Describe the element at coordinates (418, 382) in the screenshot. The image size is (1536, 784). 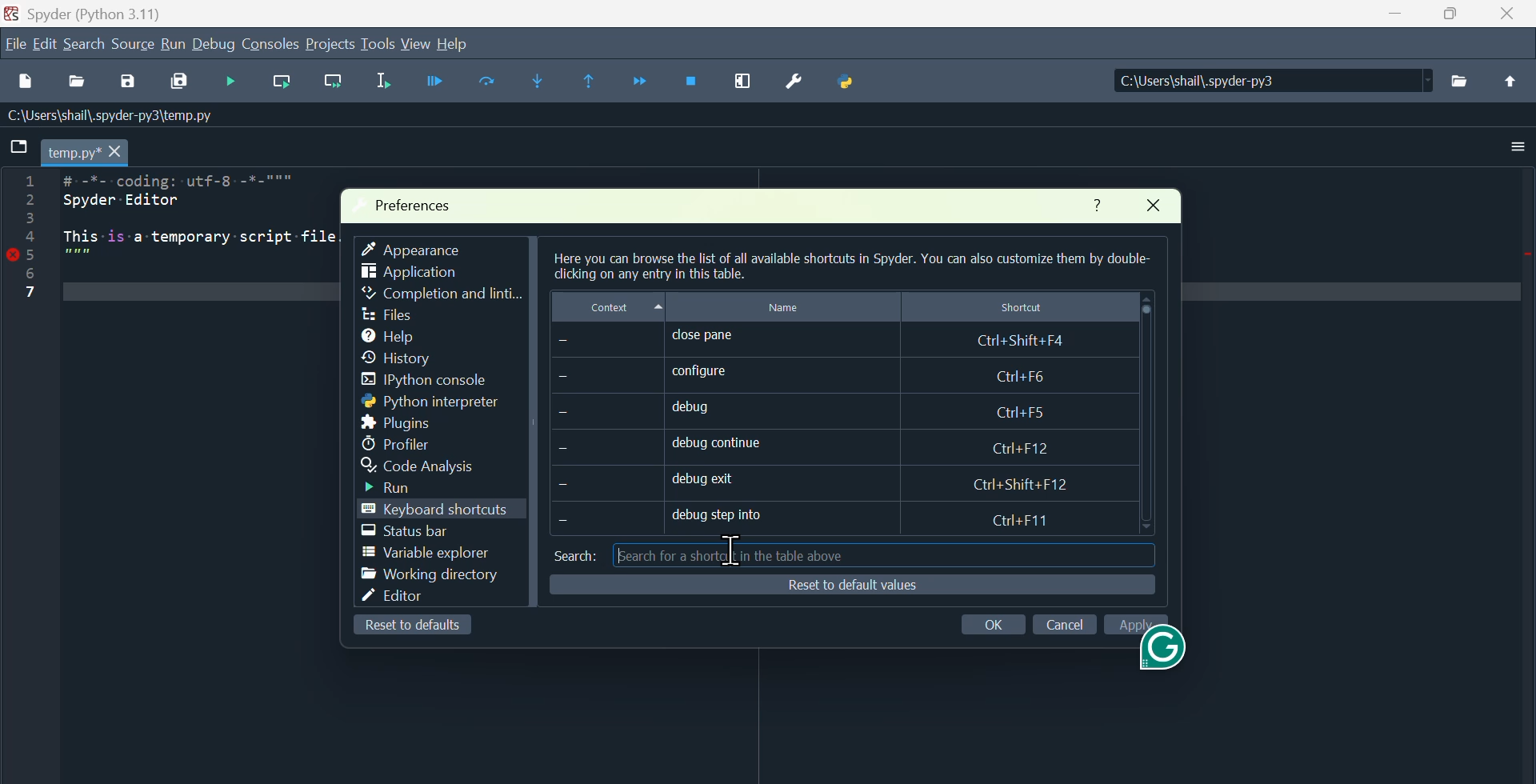
I see `I python consol` at that location.